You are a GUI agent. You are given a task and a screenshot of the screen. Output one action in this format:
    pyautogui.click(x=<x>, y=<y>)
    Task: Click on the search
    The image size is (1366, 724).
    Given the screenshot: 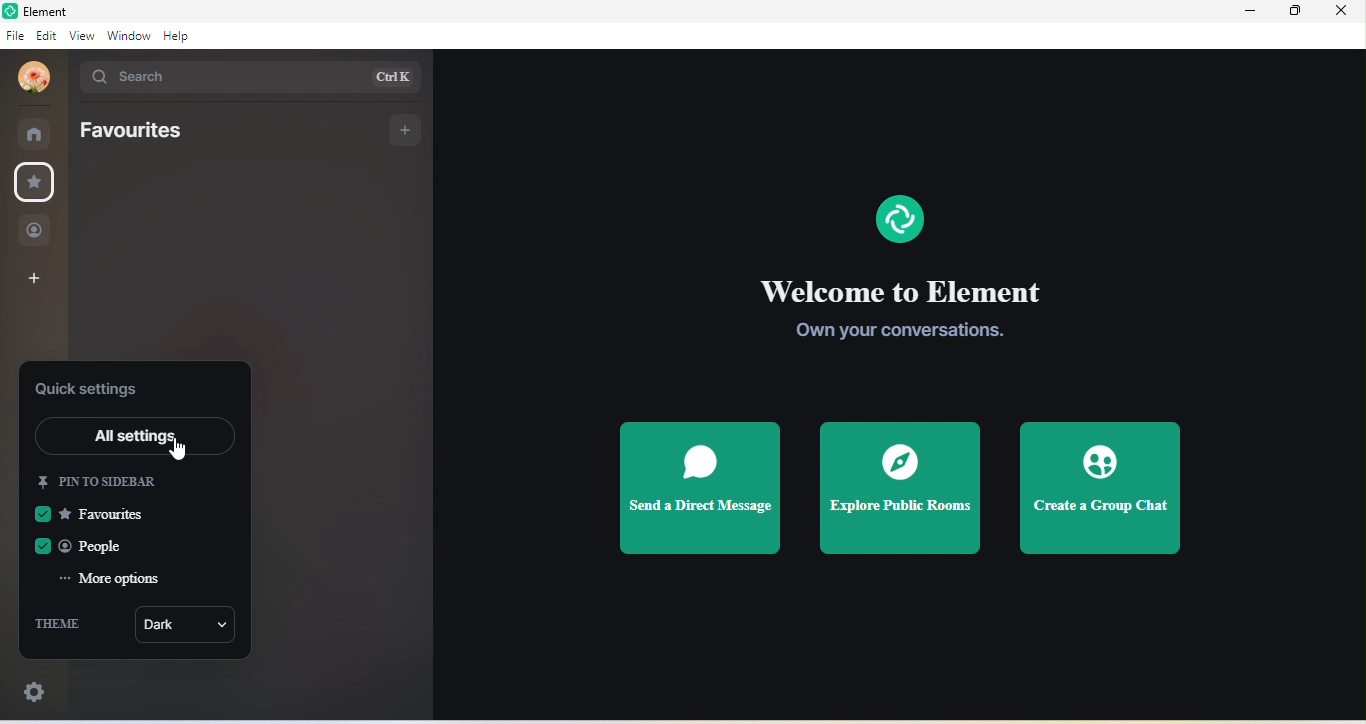 What is the action you would take?
    pyautogui.click(x=260, y=77)
    